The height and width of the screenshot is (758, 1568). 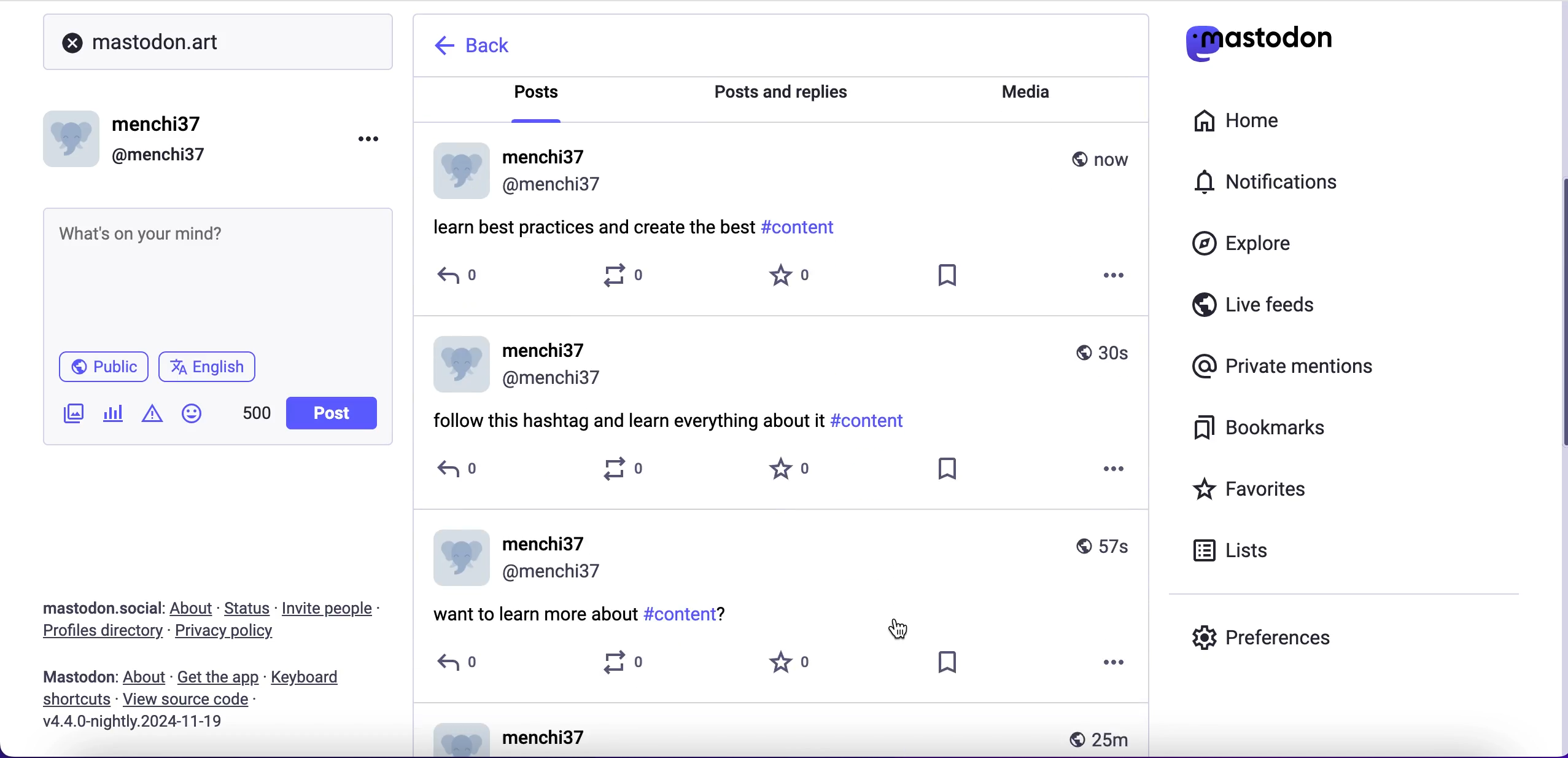 What do you see at coordinates (209, 367) in the screenshot?
I see `english` at bounding box center [209, 367].